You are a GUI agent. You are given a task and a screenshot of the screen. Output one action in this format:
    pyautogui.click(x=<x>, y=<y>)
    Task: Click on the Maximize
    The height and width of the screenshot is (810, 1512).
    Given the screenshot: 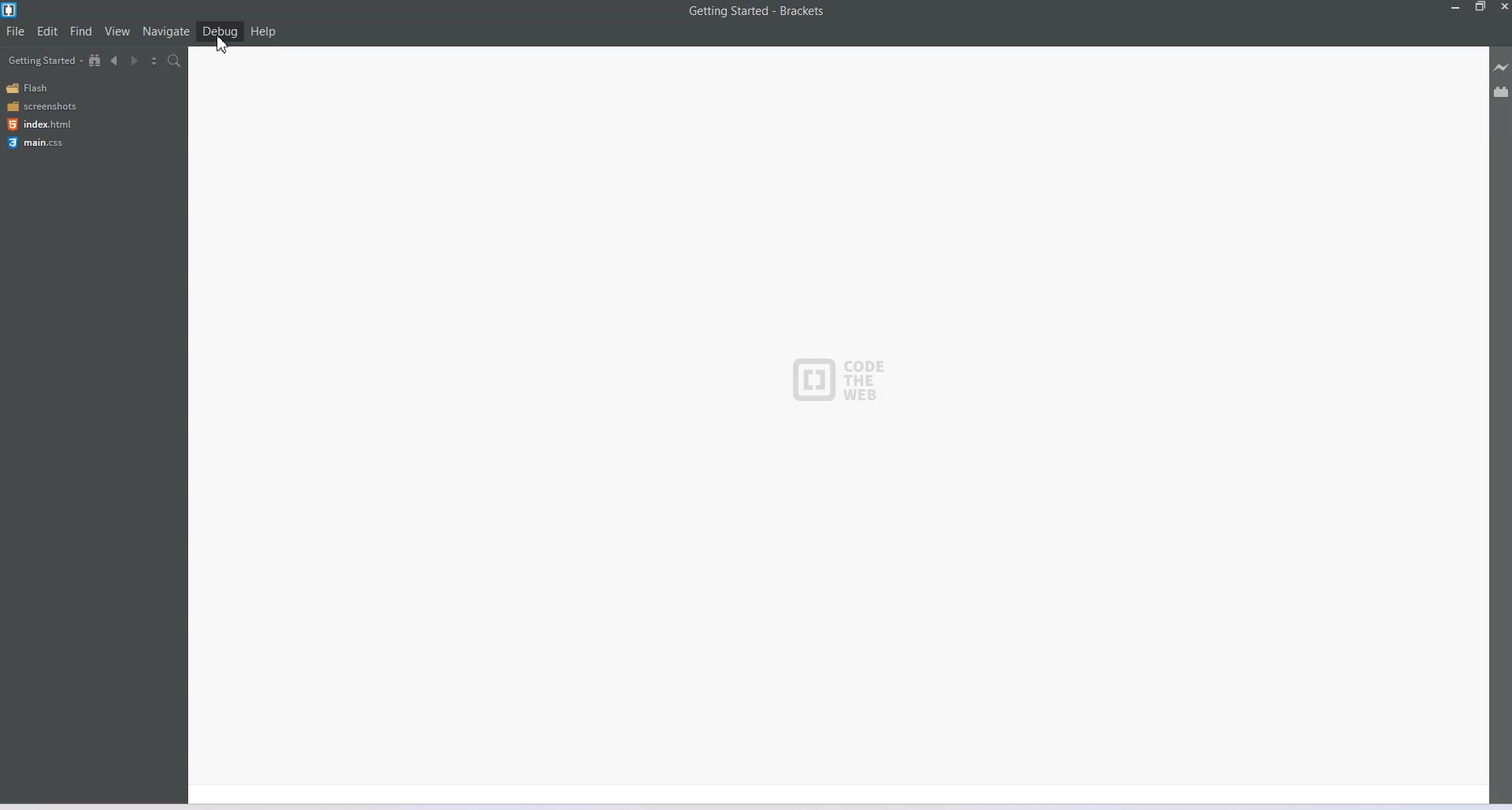 What is the action you would take?
    pyautogui.click(x=1480, y=8)
    